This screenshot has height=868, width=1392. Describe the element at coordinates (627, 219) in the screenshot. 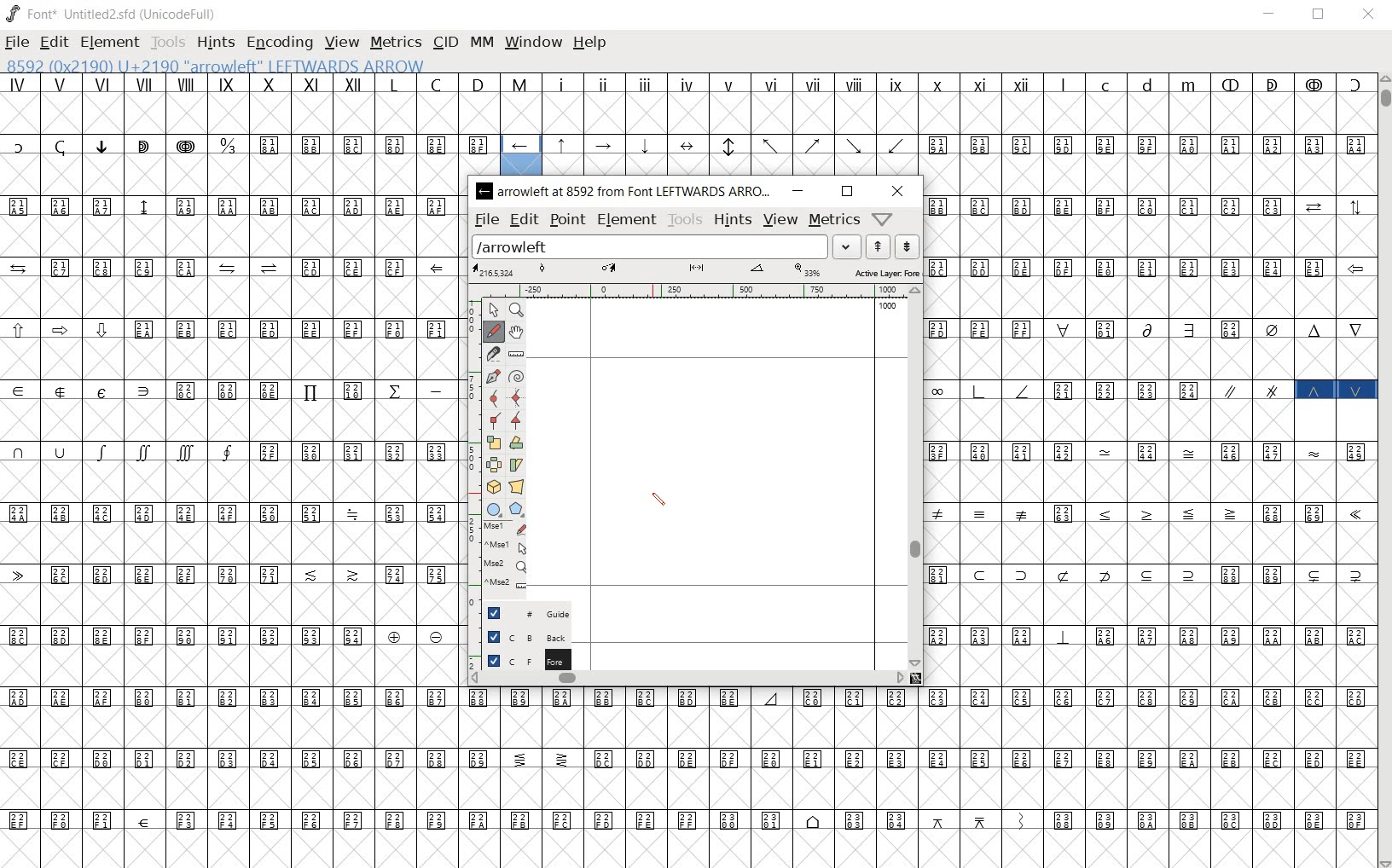

I see `element` at that location.